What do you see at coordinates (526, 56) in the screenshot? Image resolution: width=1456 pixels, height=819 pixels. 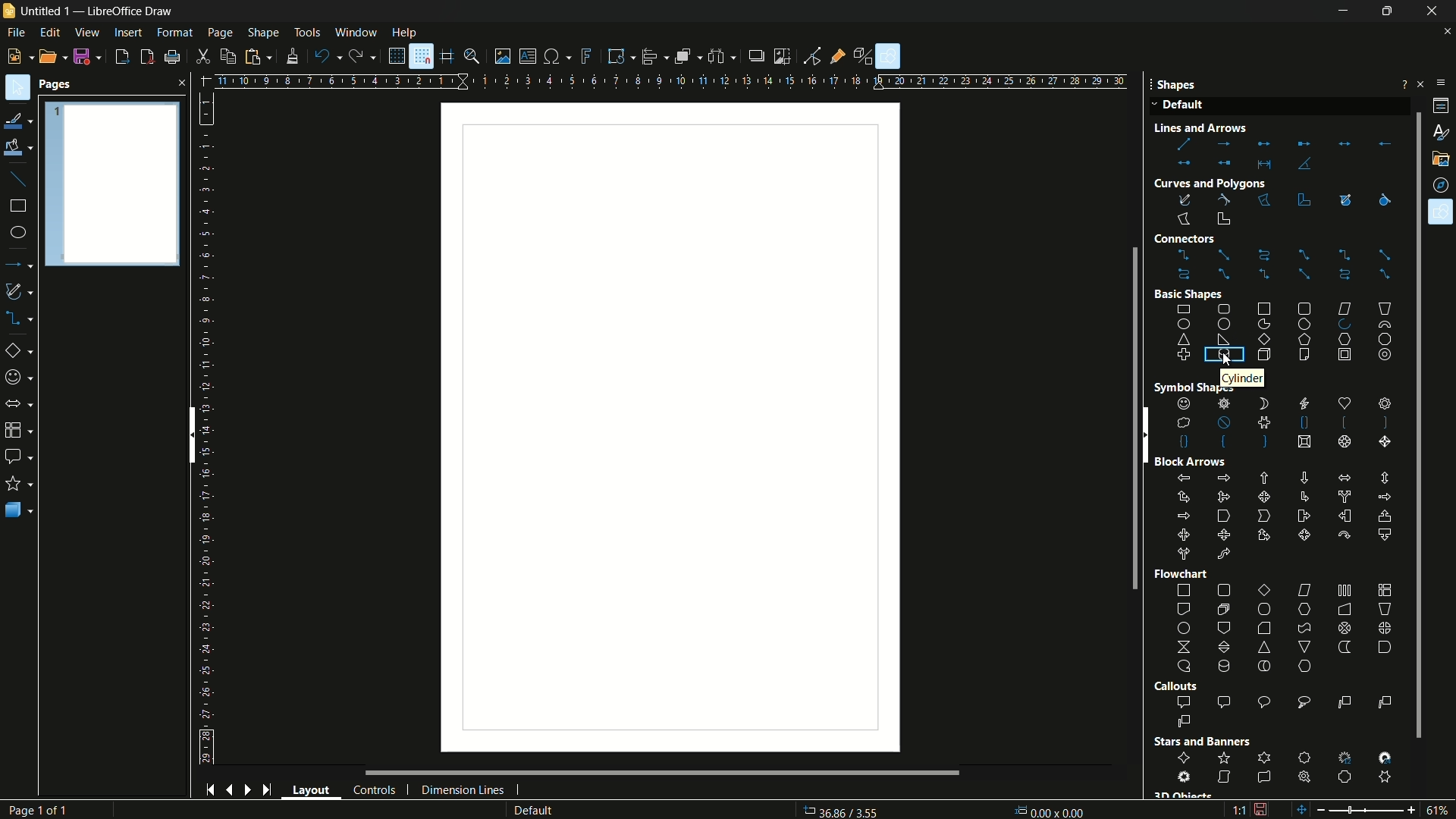 I see `insert textbox` at bounding box center [526, 56].